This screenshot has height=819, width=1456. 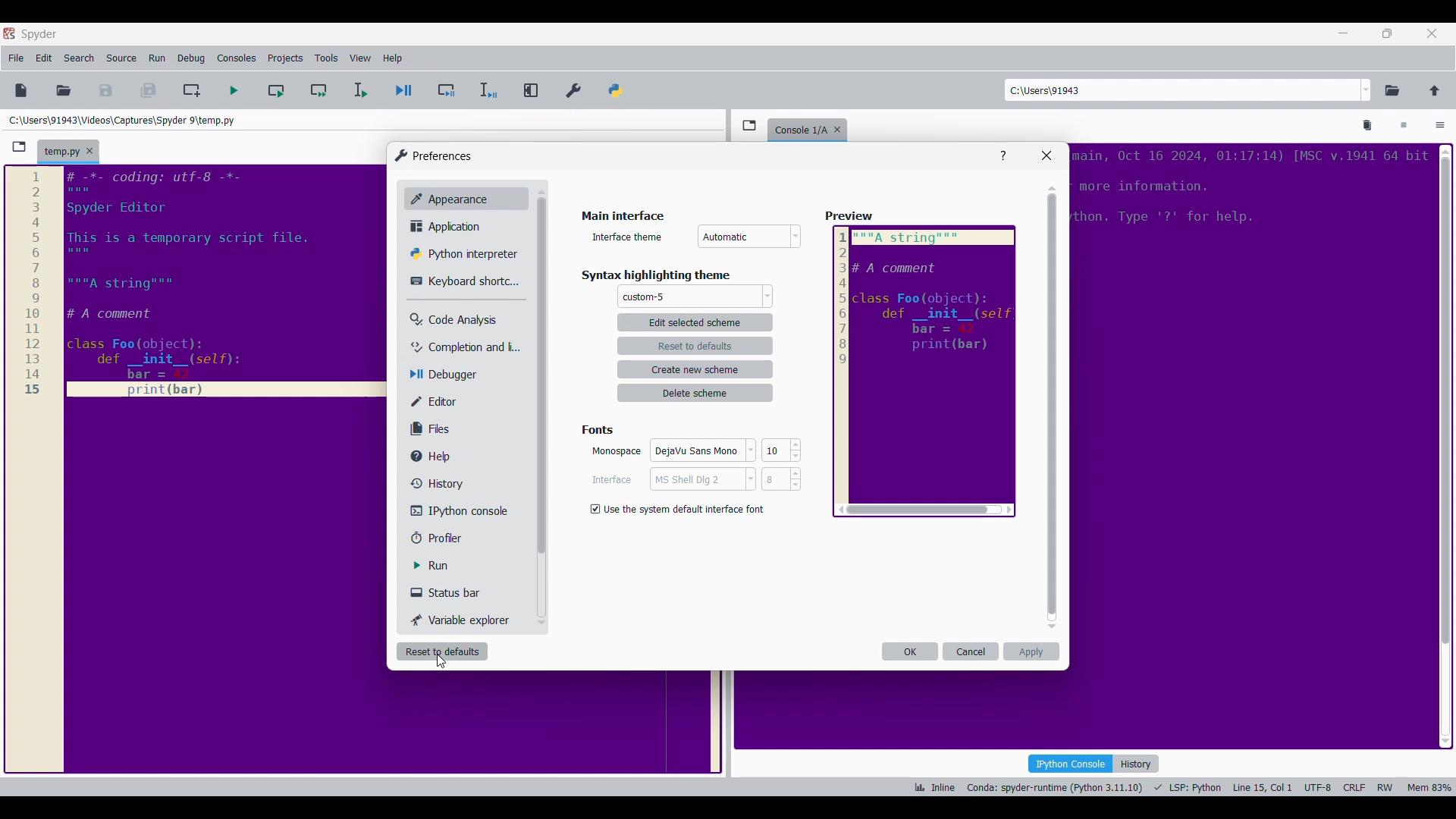 I want to click on Browse a working directory, so click(x=1392, y=90).